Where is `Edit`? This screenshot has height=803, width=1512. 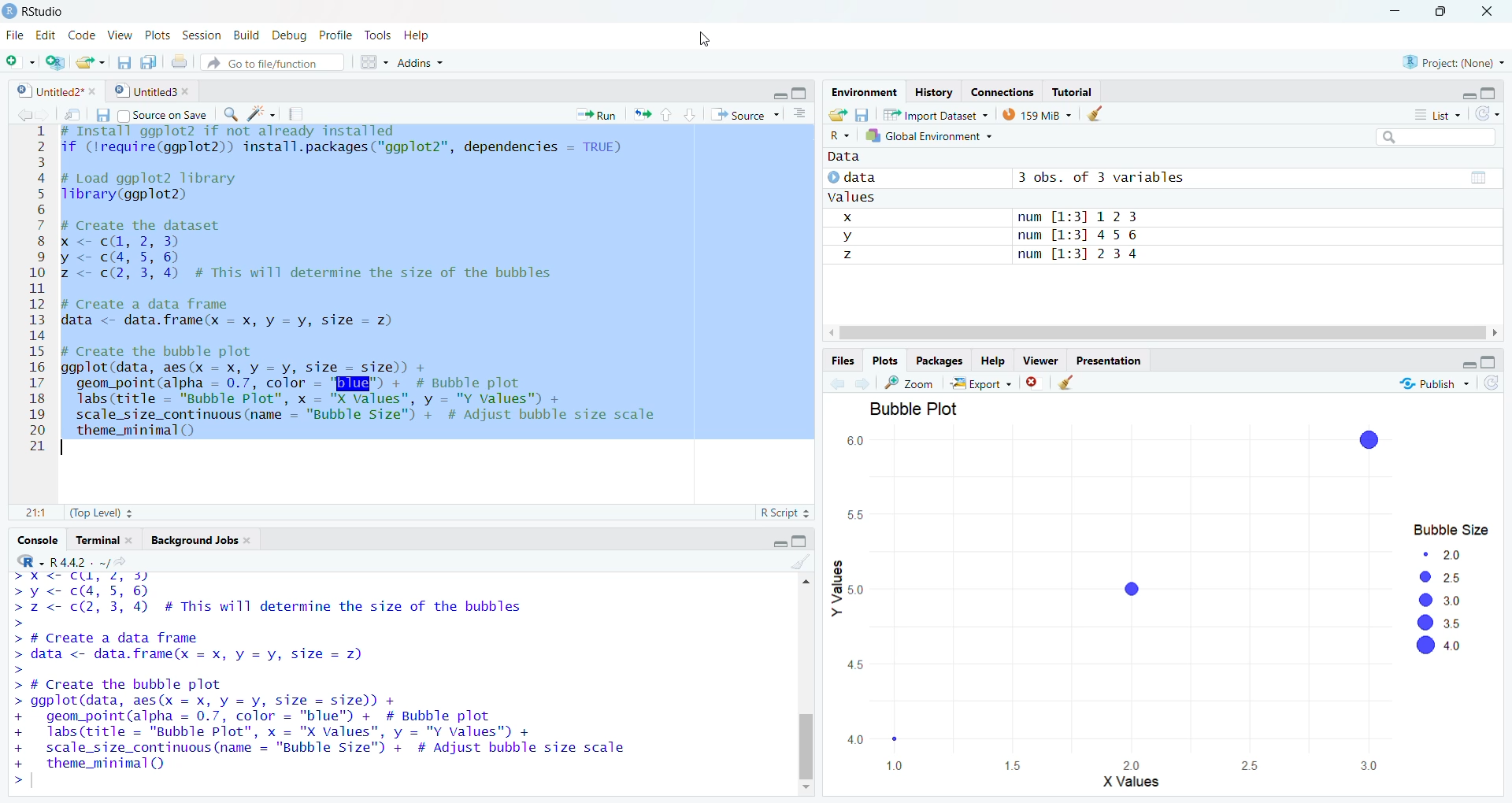
Edit is located at coordinates (44, 35).